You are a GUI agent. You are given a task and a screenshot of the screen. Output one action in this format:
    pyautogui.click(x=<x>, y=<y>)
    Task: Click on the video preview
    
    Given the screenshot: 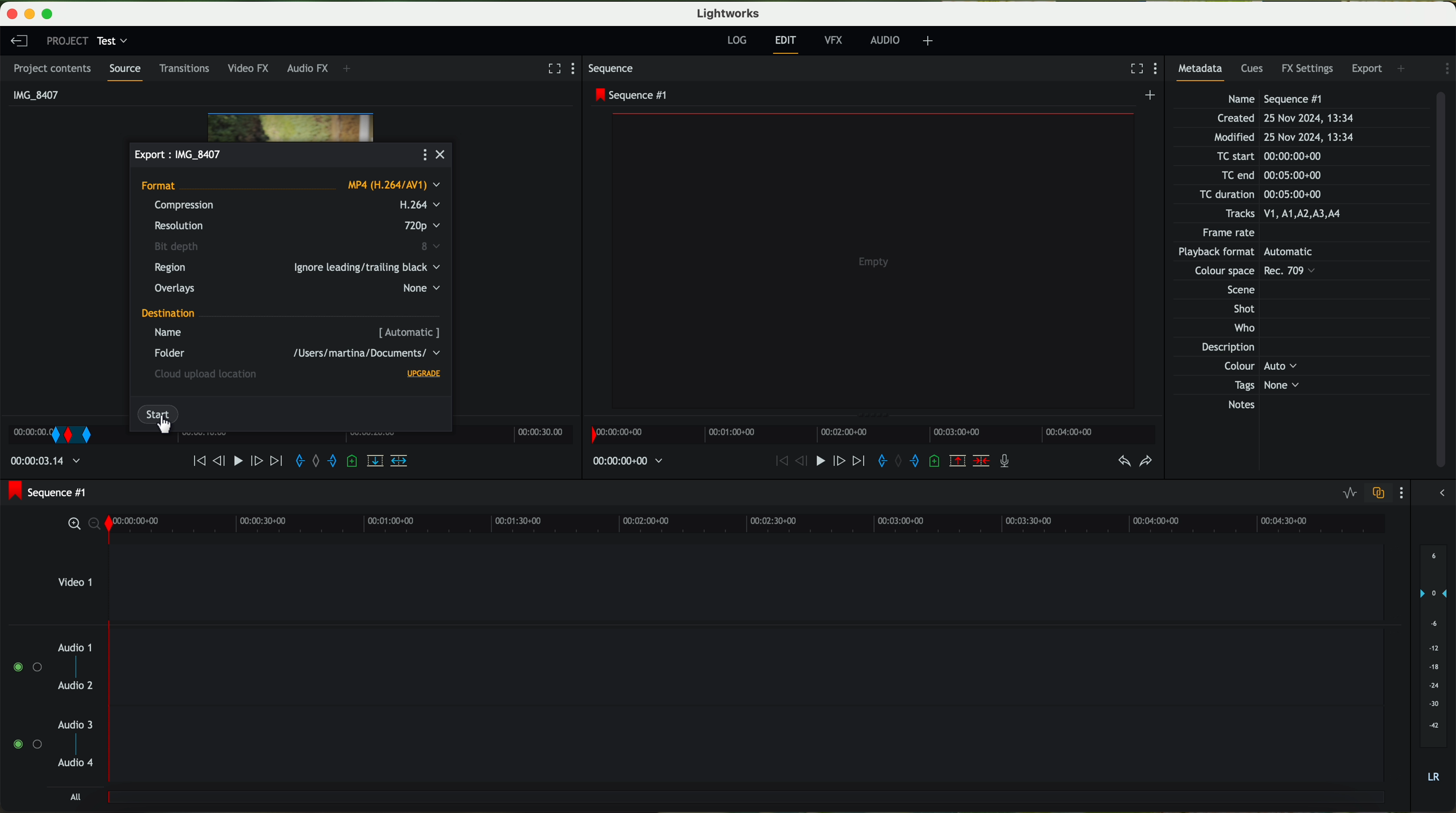 What is the action you would take?
    pyautogui.click(x=873, y=260)
    